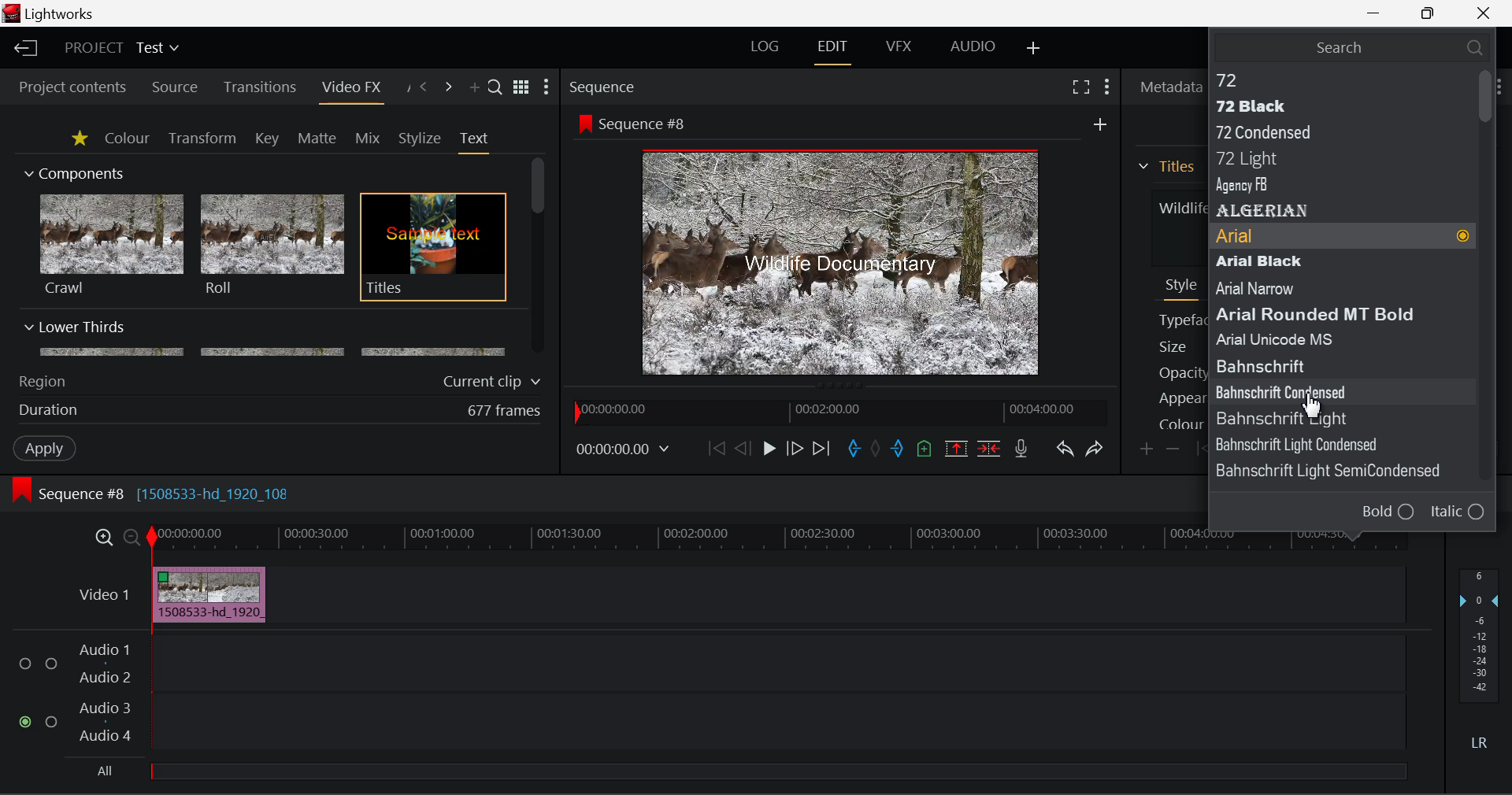 The height and width of the screenshot is (795, 1512). Describe the element at coordinates (72, 170) in the screenshot. I see `Components Section` at that location.